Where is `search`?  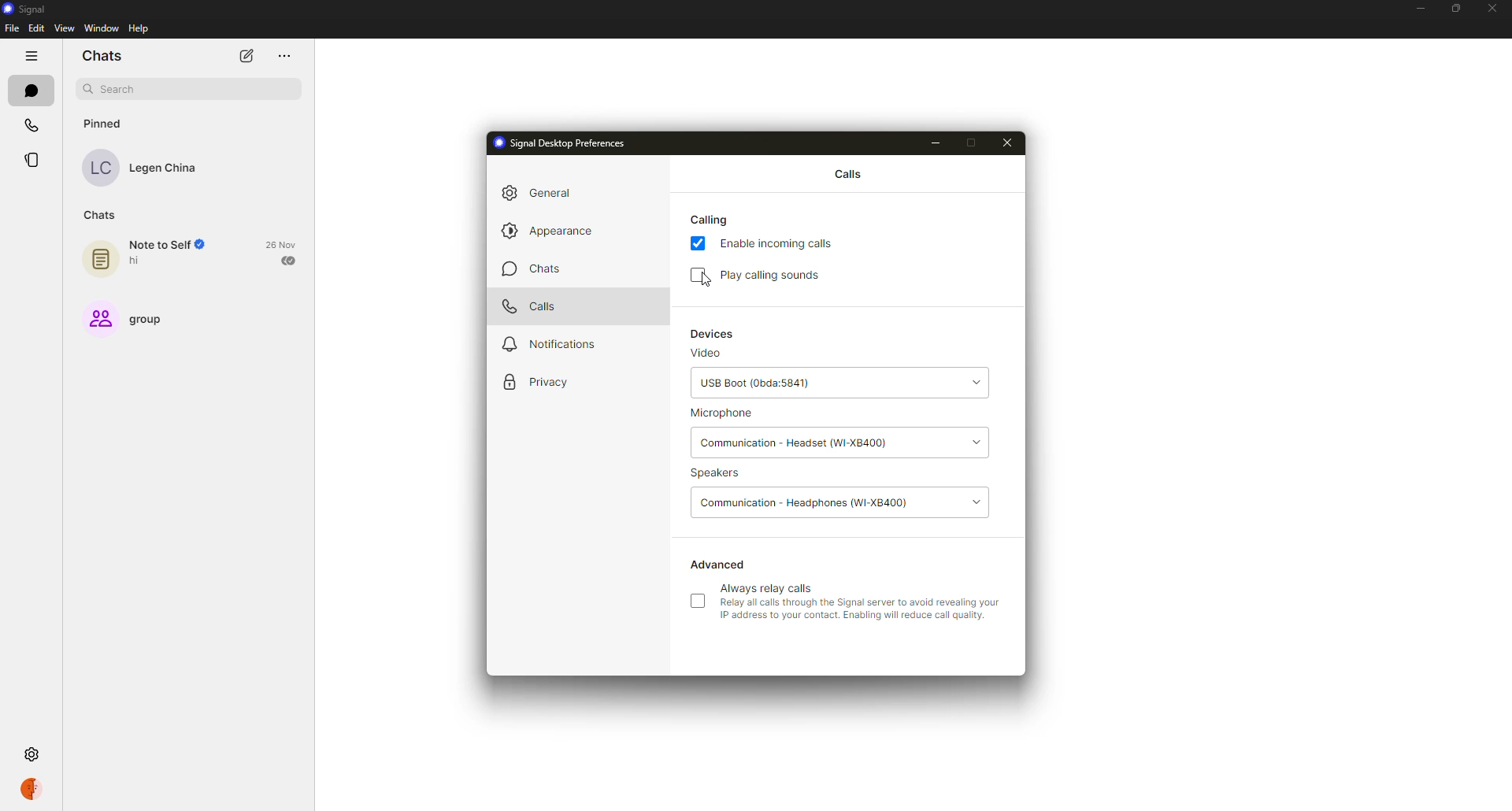 search is located at coordinates (116, 89).